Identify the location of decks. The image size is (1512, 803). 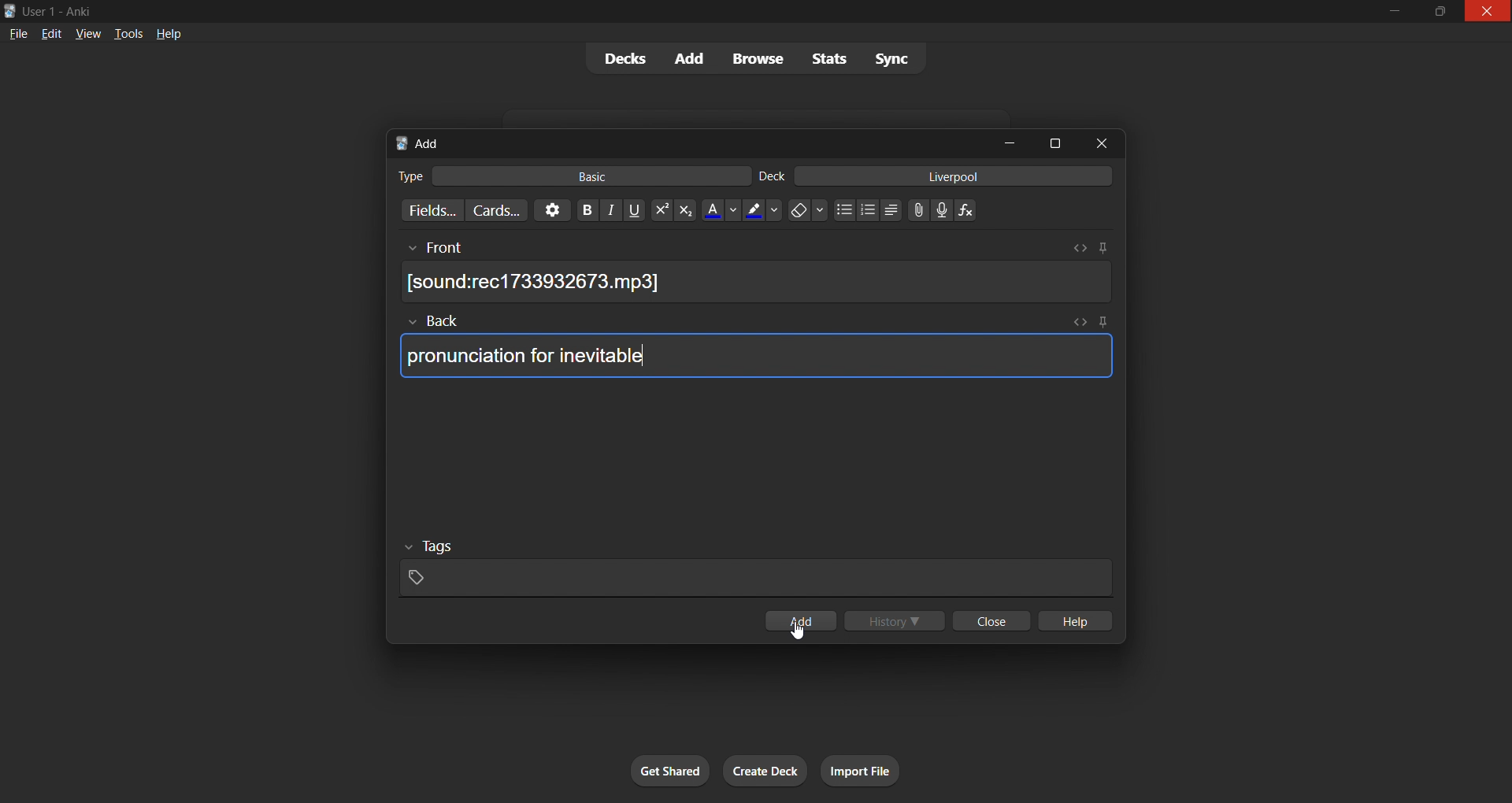
(621, 59).